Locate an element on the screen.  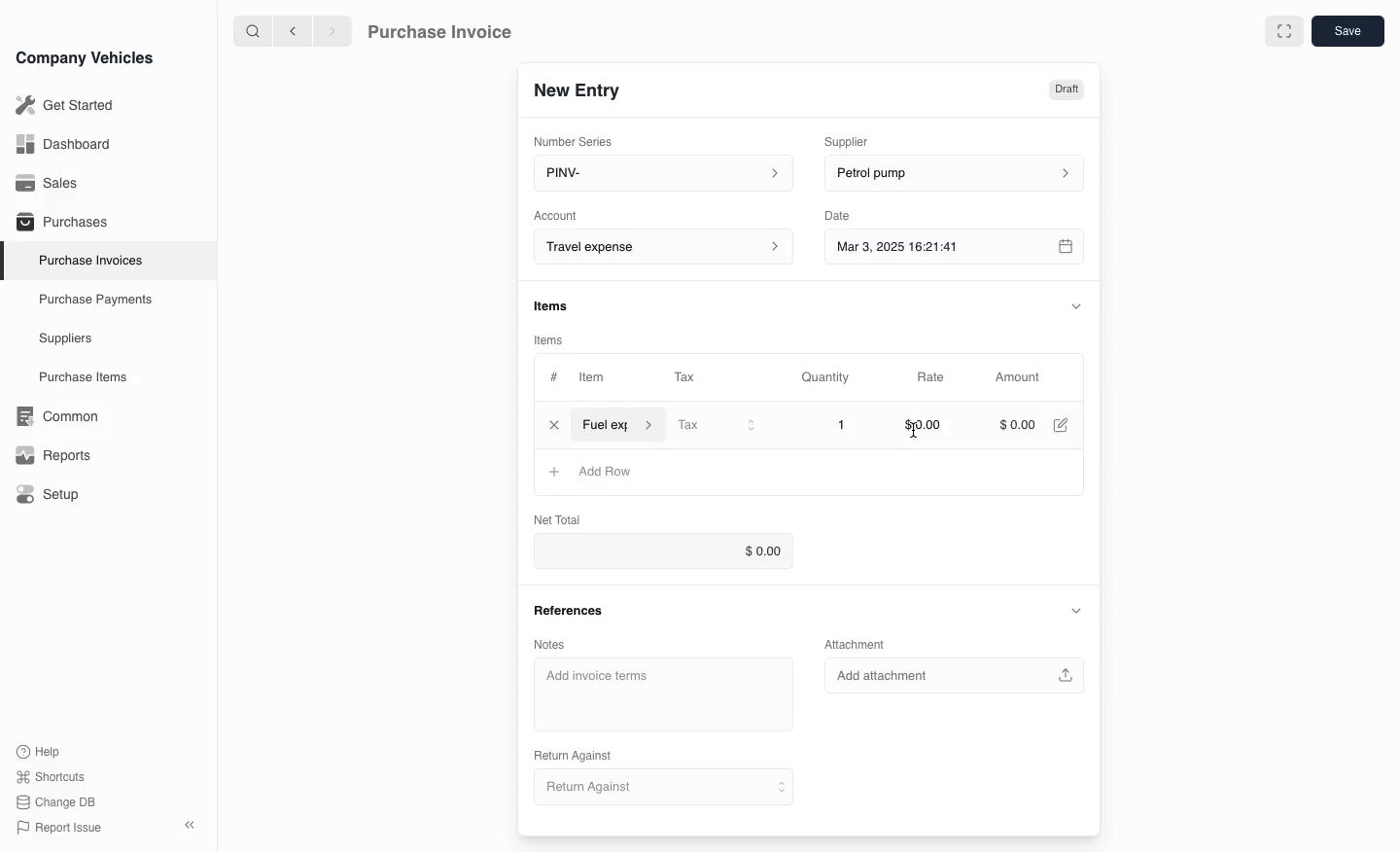
Account is located at coordinates (556, 214).